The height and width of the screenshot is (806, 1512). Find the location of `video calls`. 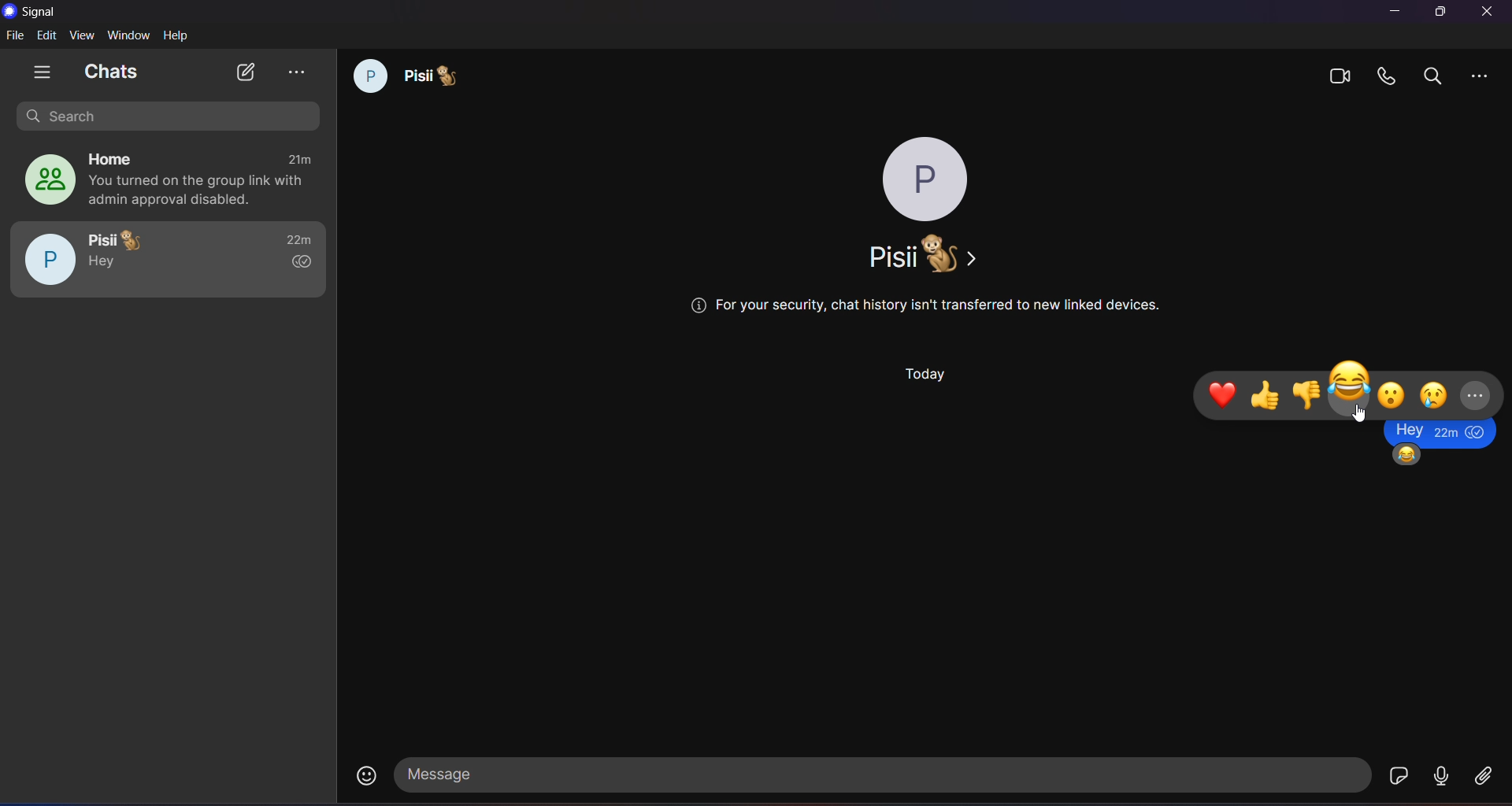

video calls is located at coordinates (1339, 74).